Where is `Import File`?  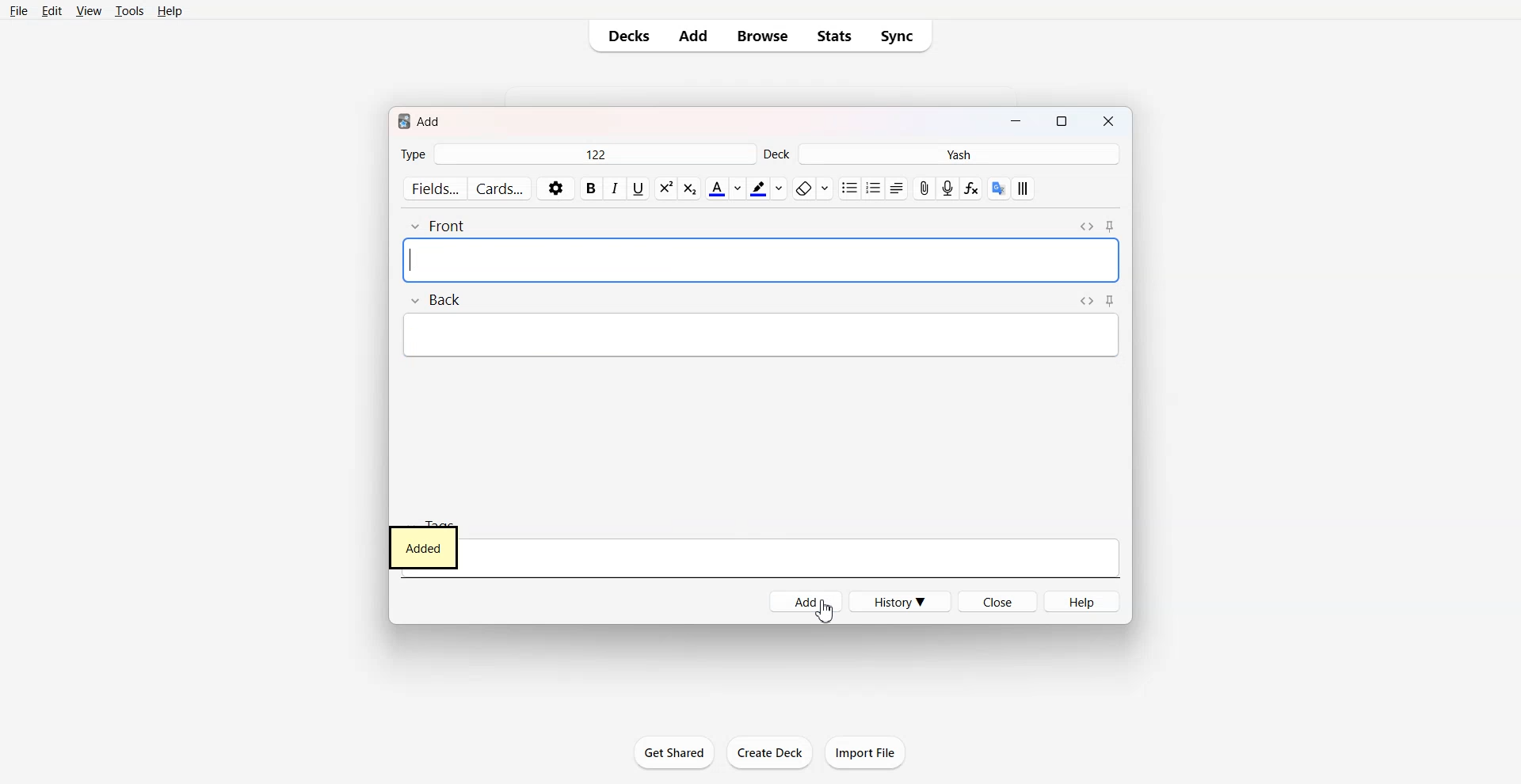 Import File is located at coordinates (866, 752).